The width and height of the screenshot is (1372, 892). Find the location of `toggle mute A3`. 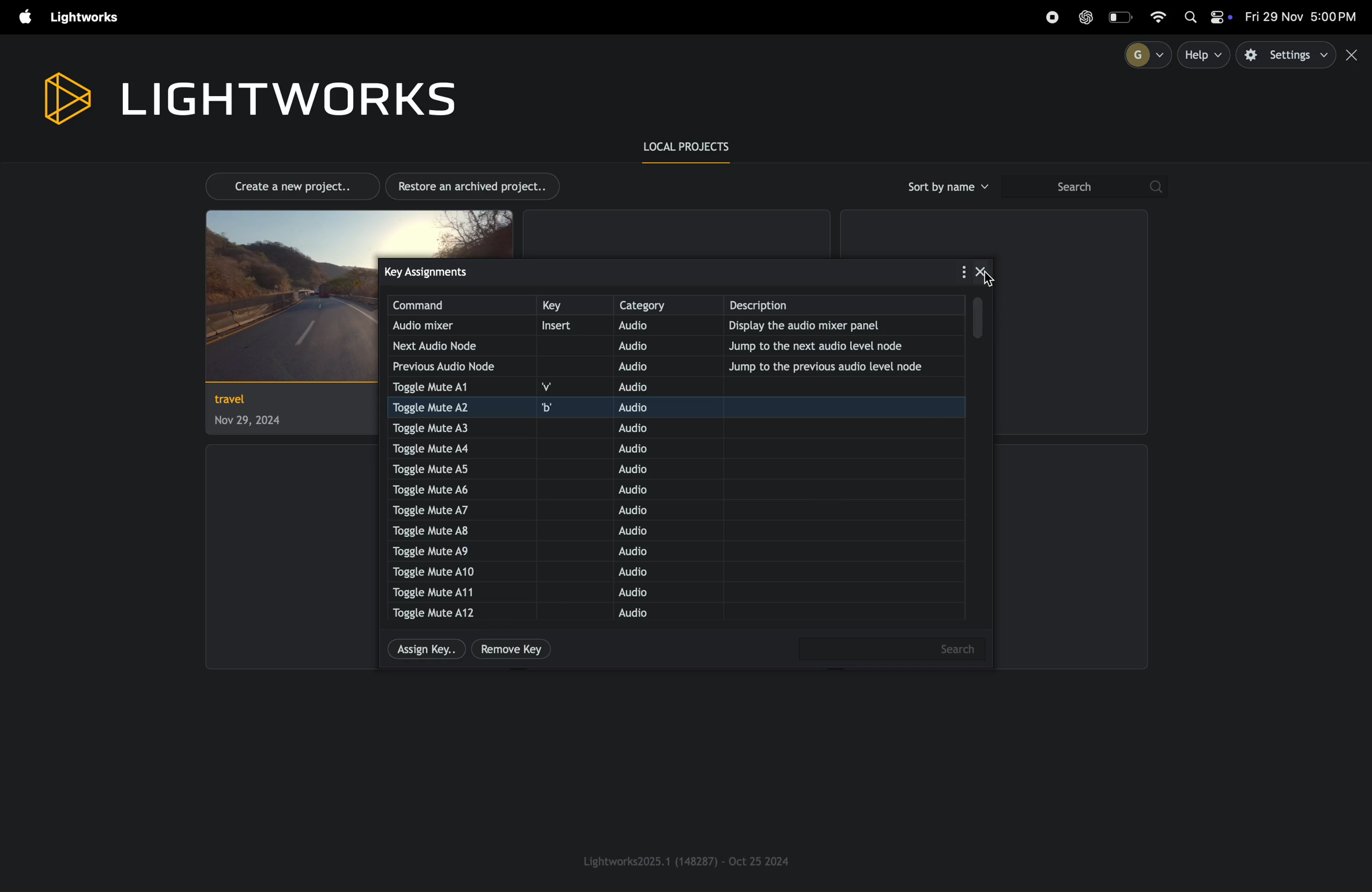

toggle mute A3 is located at coordinates (452, 427).